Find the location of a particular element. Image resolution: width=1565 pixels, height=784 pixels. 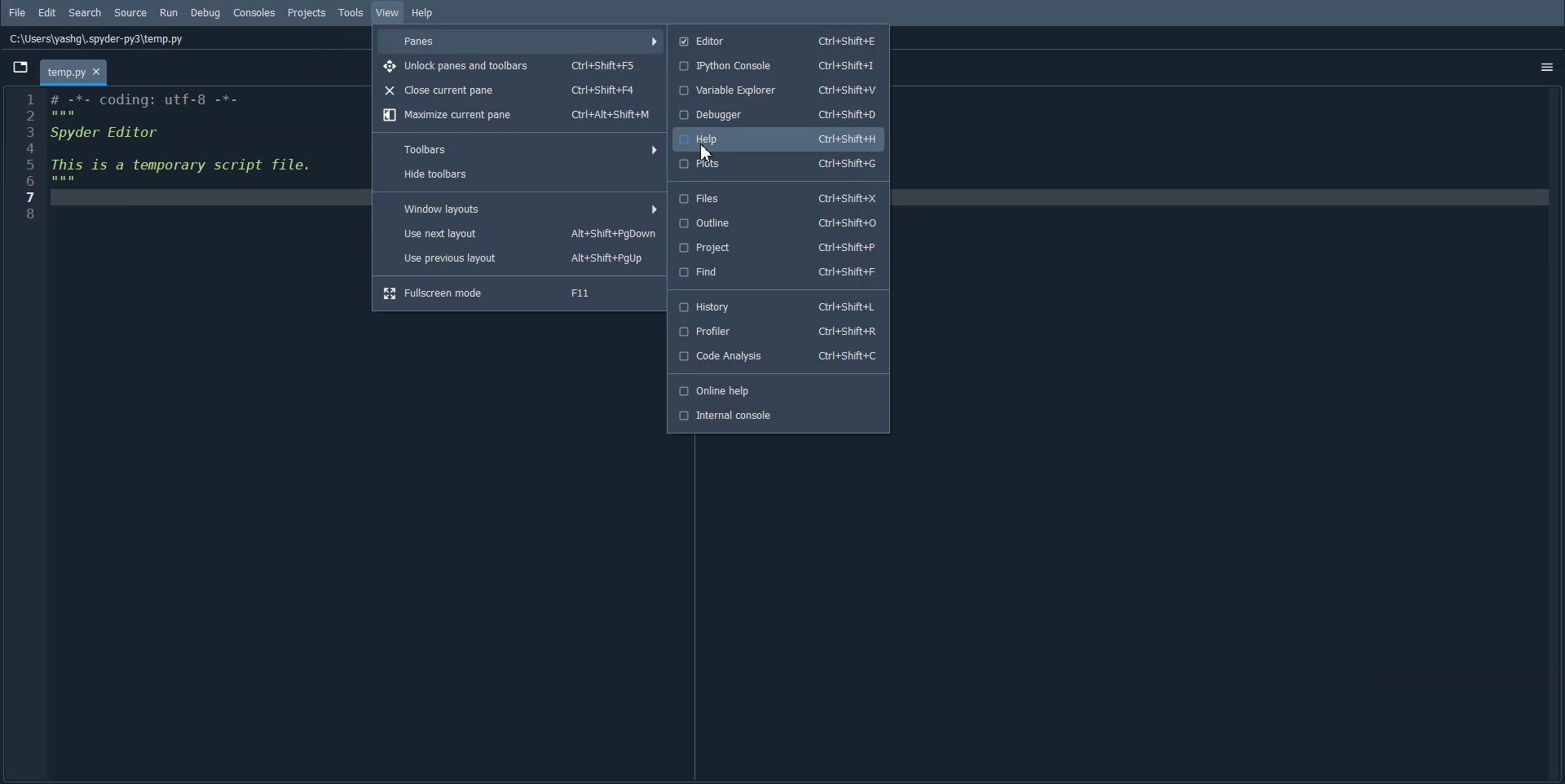

Tools is located at coordinates (351, 12).